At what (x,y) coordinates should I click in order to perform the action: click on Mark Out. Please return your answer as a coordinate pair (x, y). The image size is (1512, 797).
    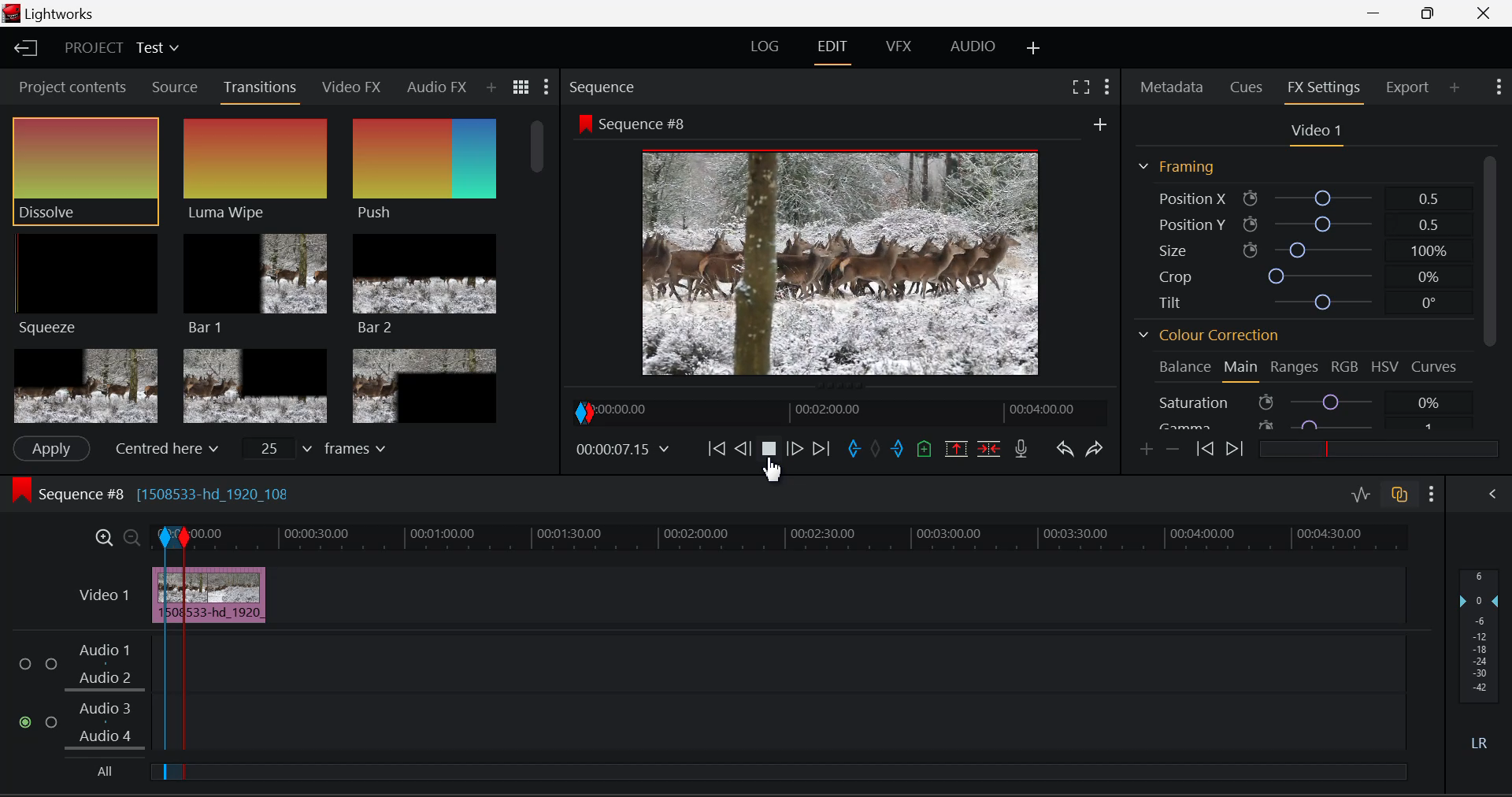
    Looking at the image, I should click on (898, 451).